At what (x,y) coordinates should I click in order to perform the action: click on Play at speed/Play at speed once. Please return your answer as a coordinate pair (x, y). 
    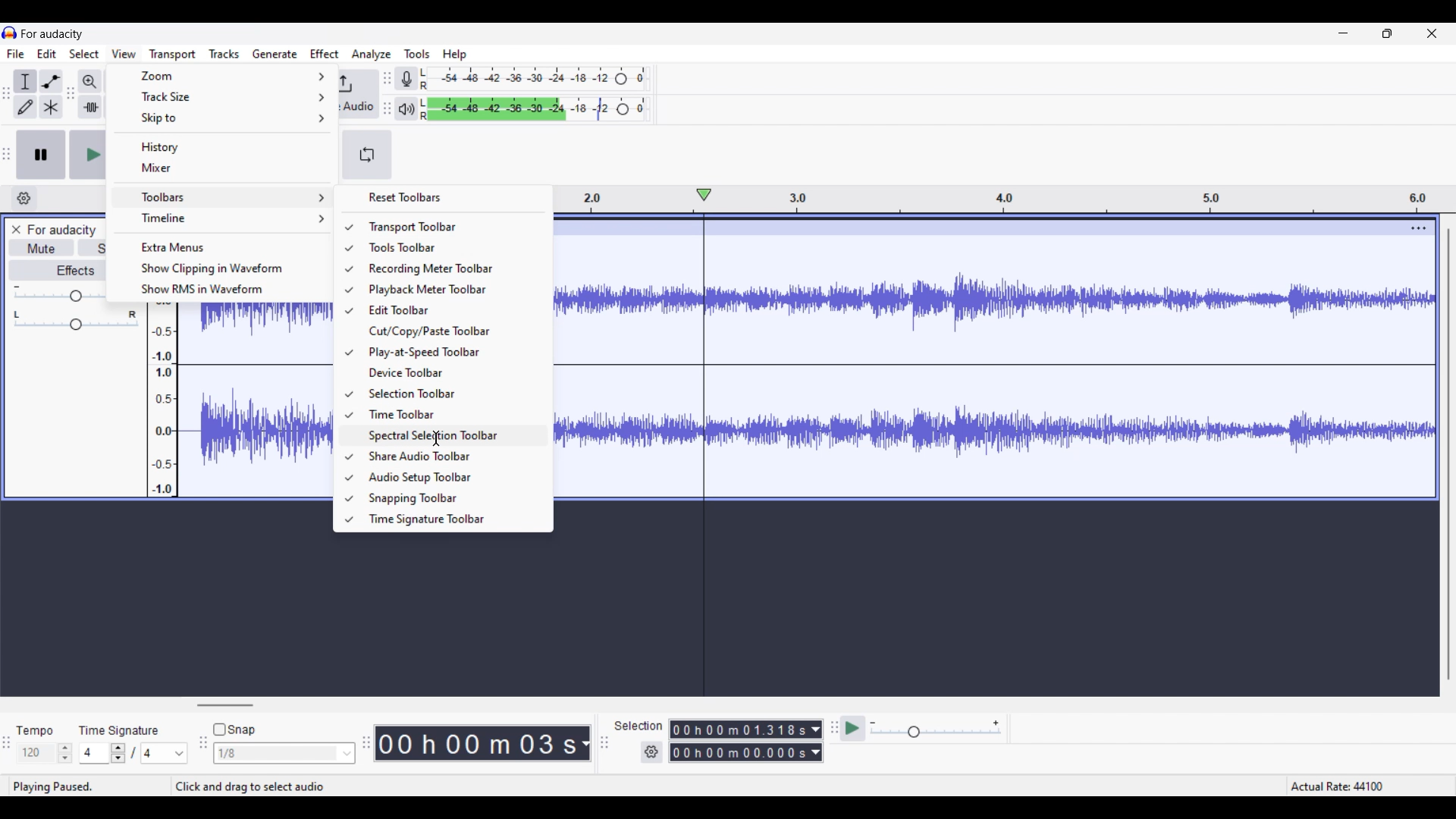
    Looking at the image, I should click on (852, 728).